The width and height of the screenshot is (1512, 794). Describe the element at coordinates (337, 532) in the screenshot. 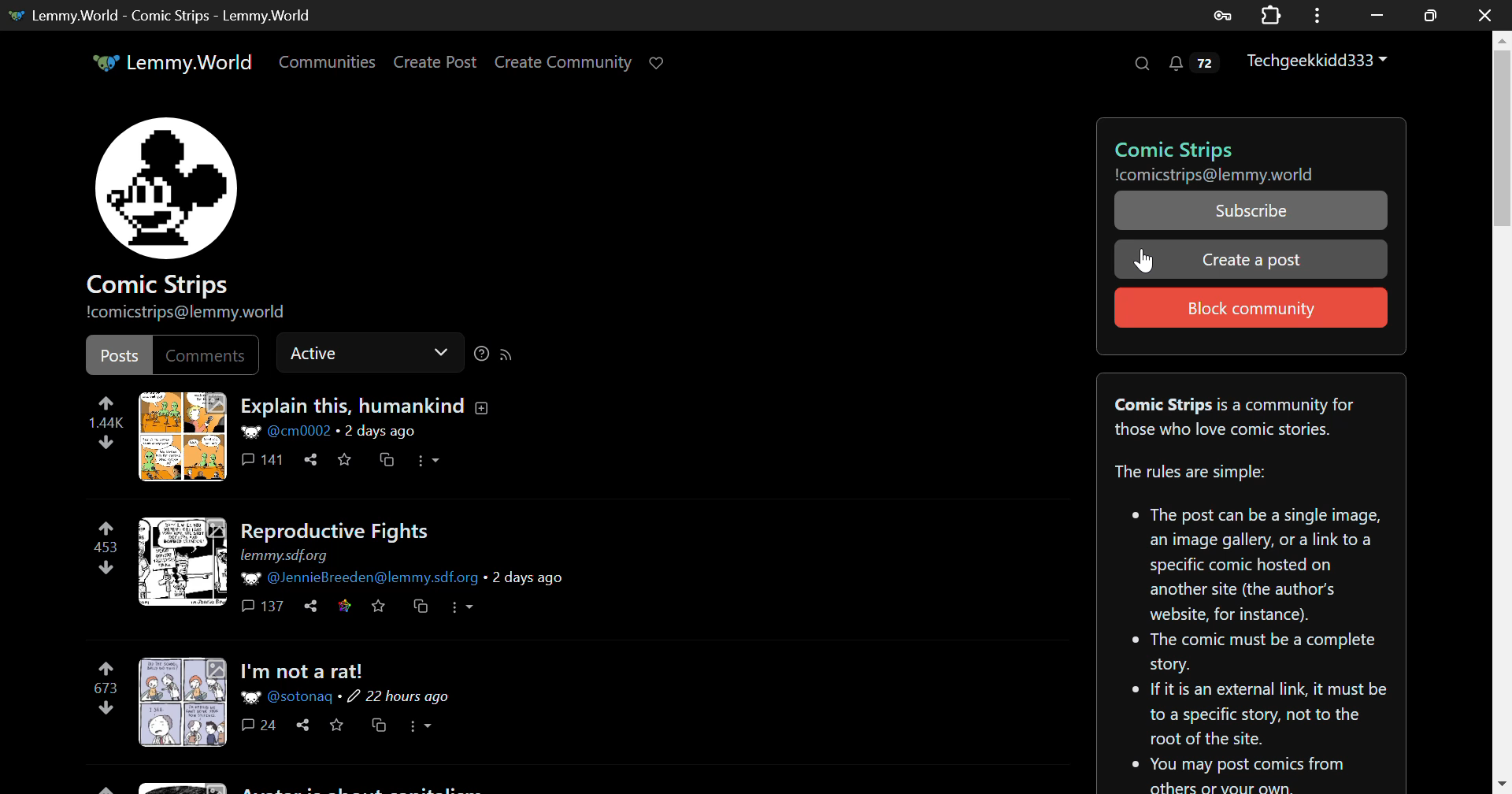

I see `Reproductive Fights` at that location.